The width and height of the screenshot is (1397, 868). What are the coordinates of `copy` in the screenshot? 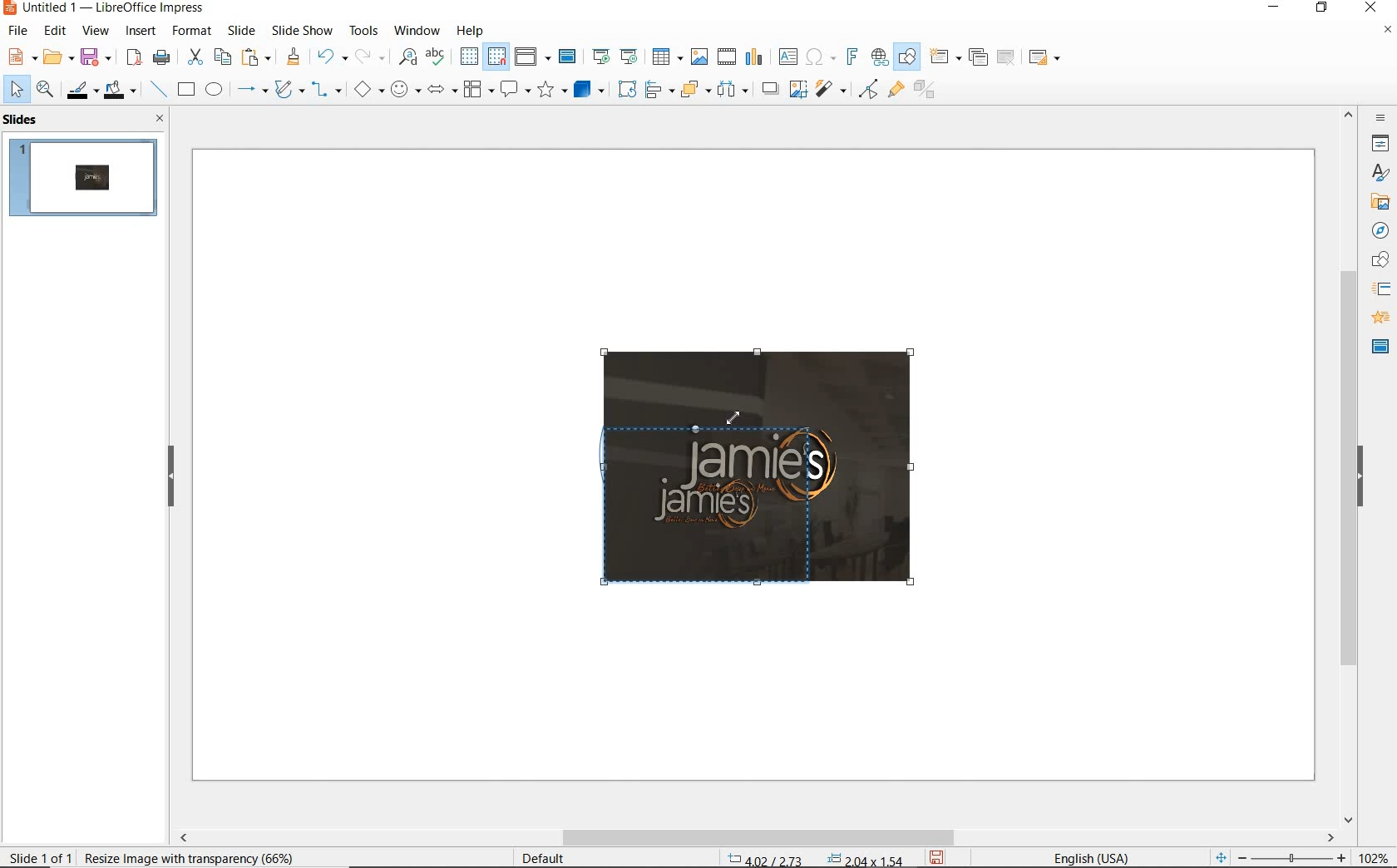 It's located at (222, 57).